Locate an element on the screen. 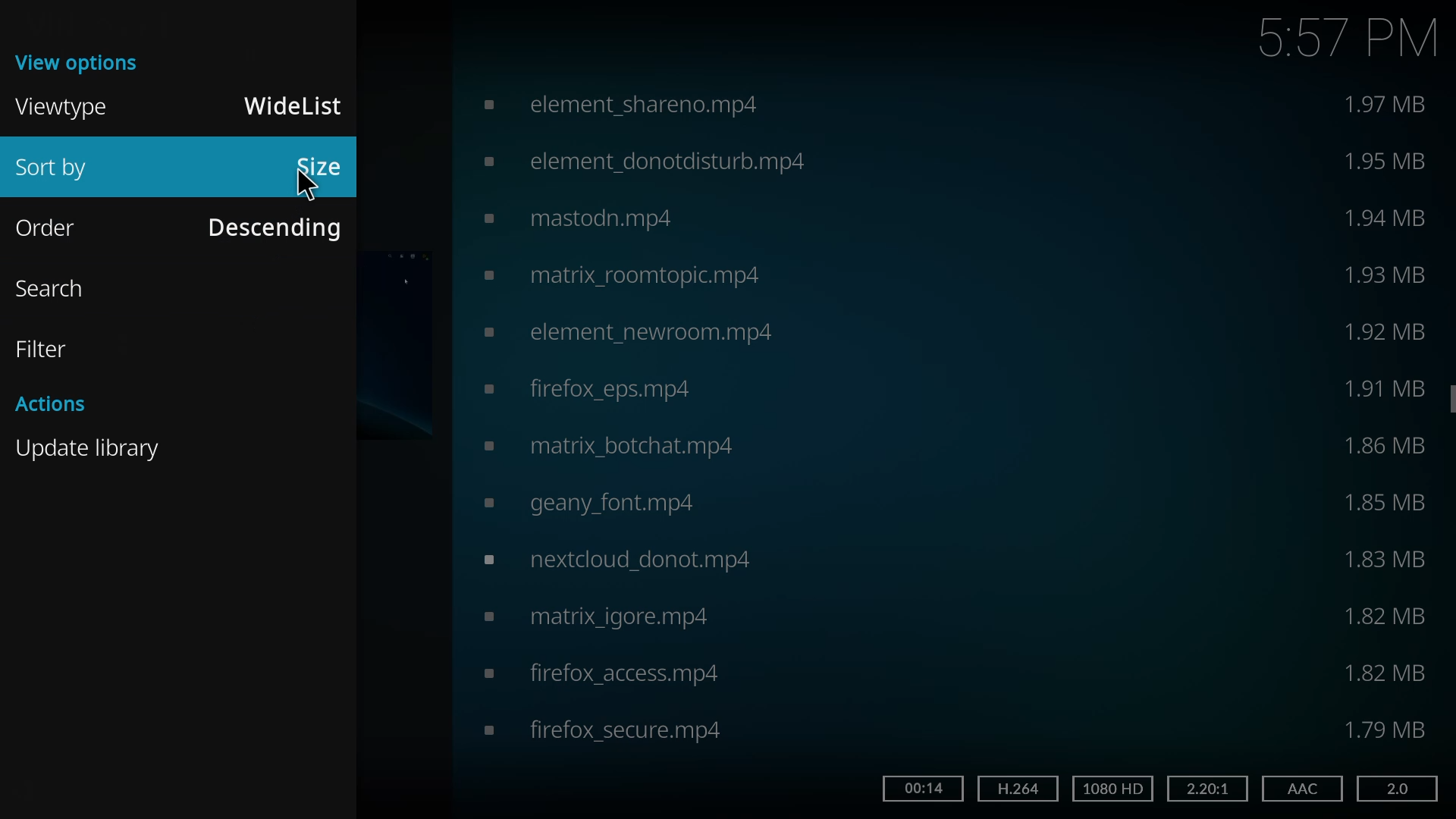 Image resolution: width=1456 pixels, height=819 pixels. video is located at coordinates (581, 217).